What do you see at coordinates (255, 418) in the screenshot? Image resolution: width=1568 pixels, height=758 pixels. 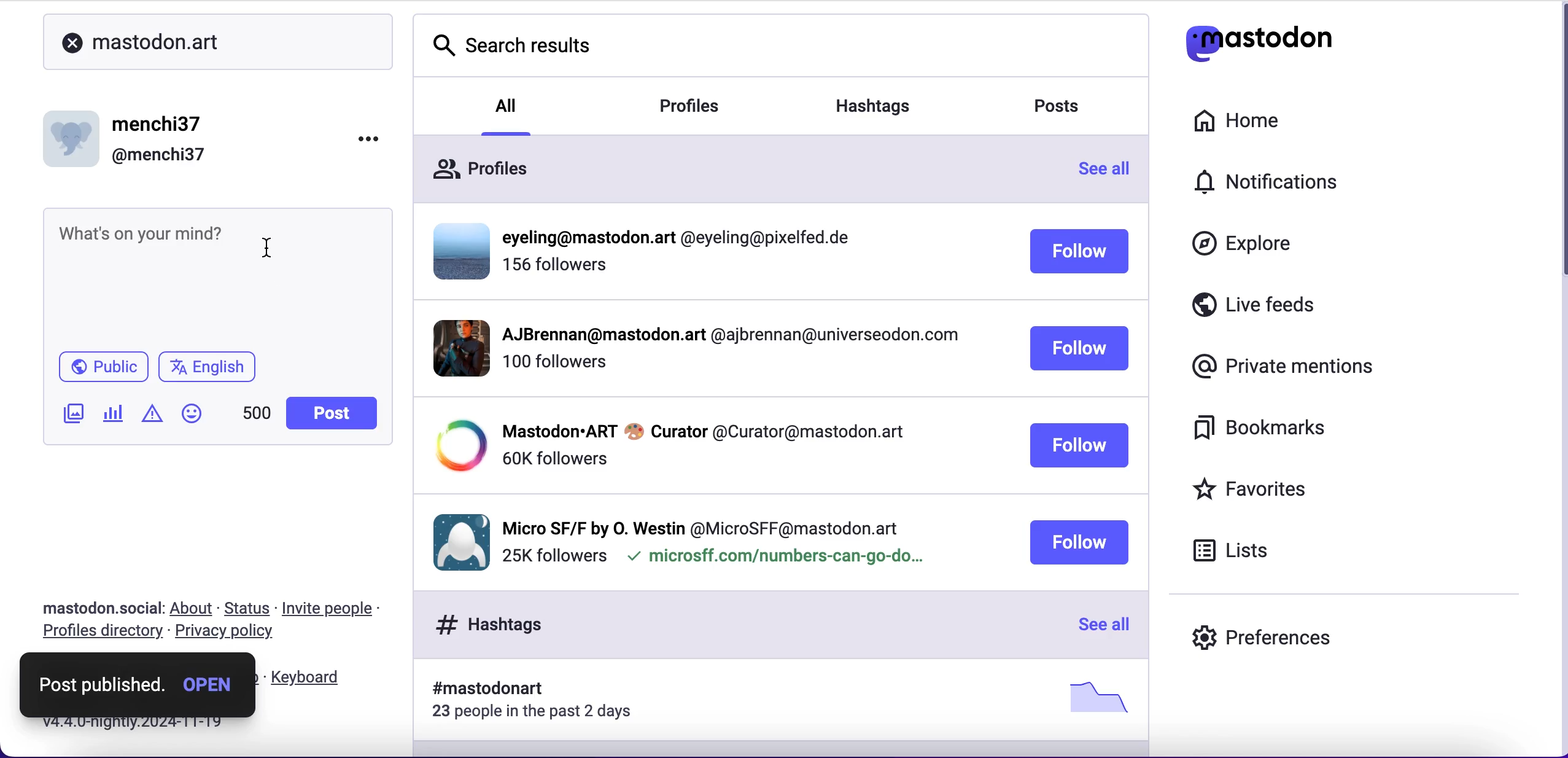 I see `characters left` at bounding box center [255, 418].